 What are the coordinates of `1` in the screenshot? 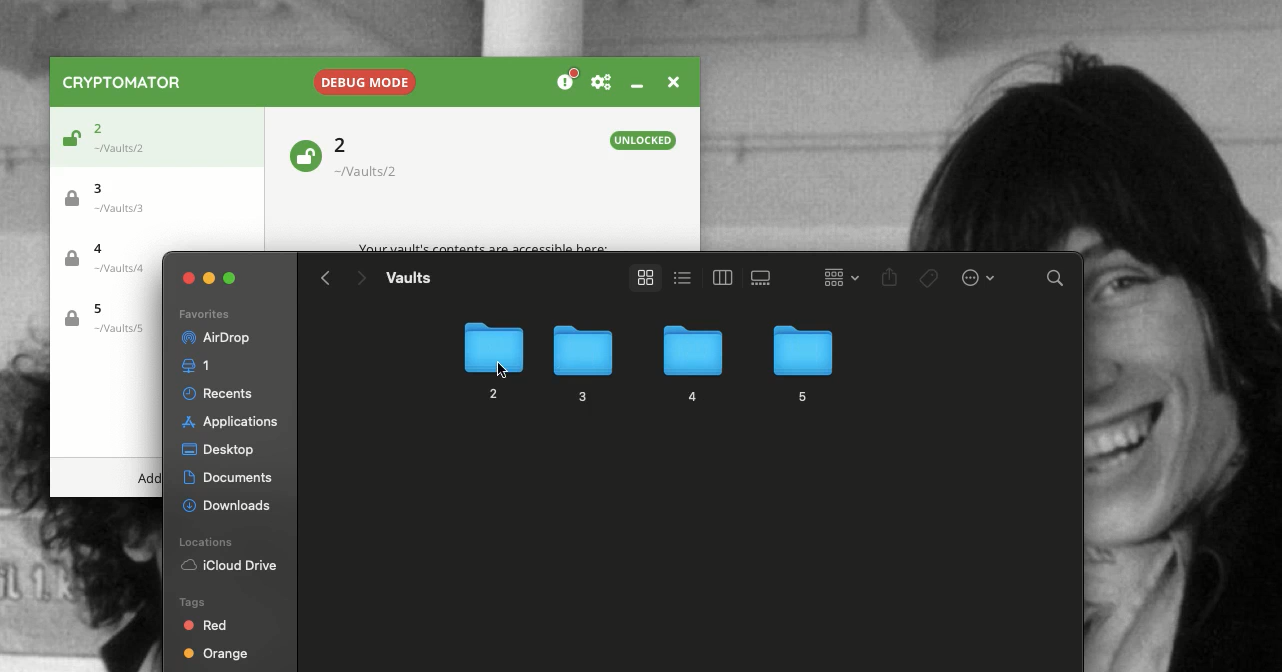 It's located at (200, 366).